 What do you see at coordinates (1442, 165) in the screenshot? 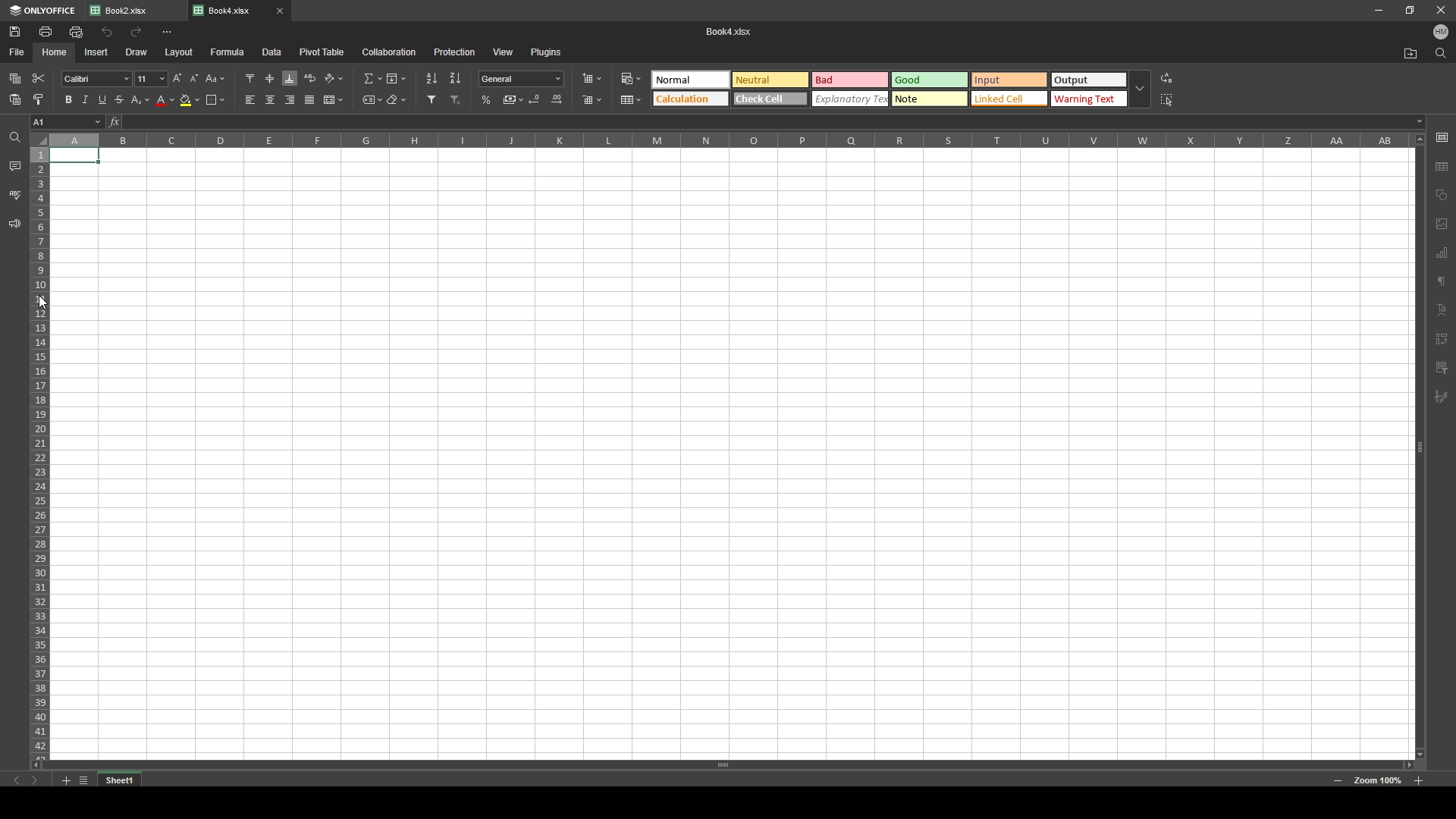
I see `table` at bounding box center [1442, 165].